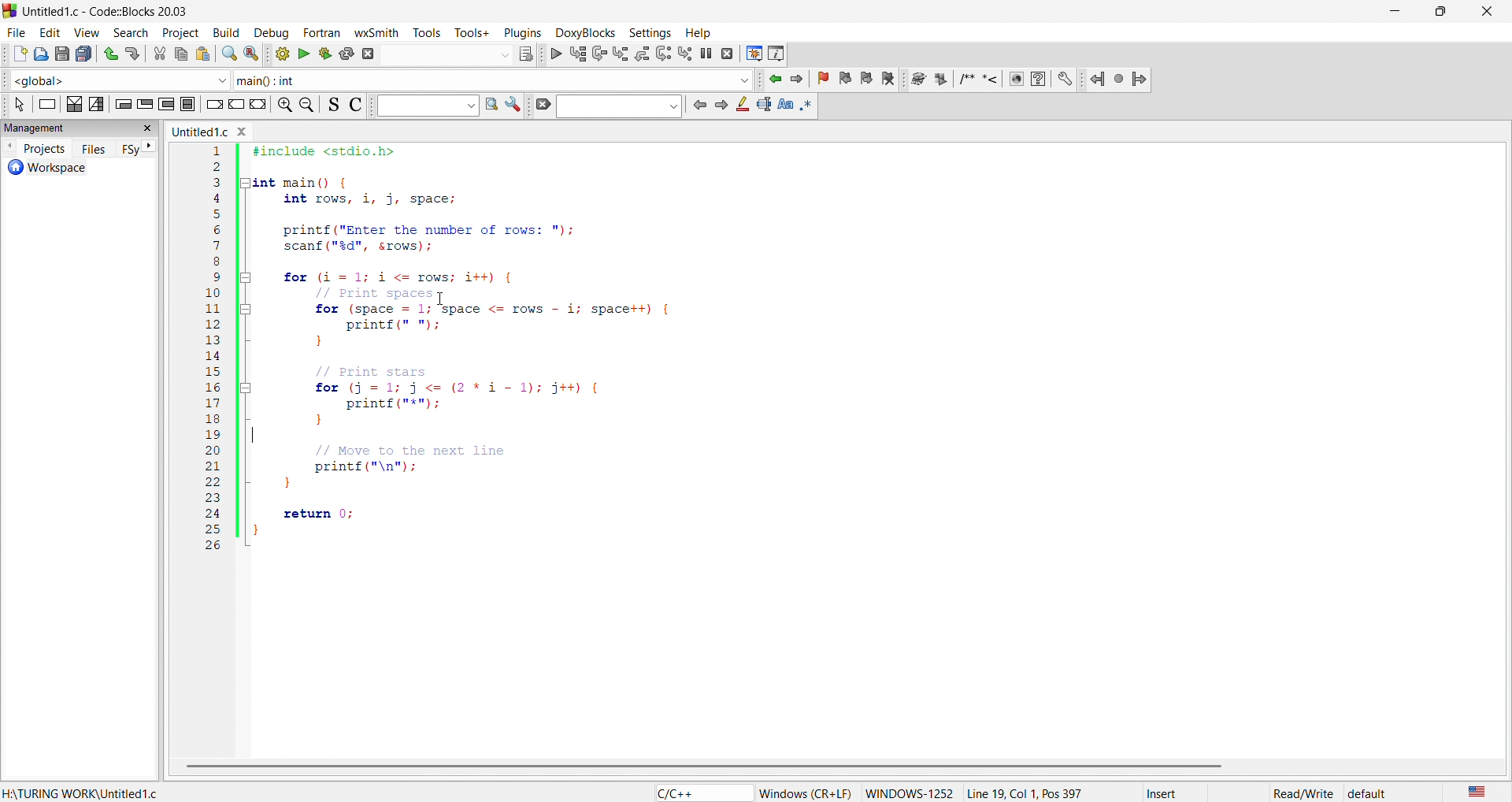 Image resolution: width=1512 pixels, height=802 pixels. What do you see at coordinates (279, 54) in the screenshot?
I see `build` at bounding box center [279, 54].